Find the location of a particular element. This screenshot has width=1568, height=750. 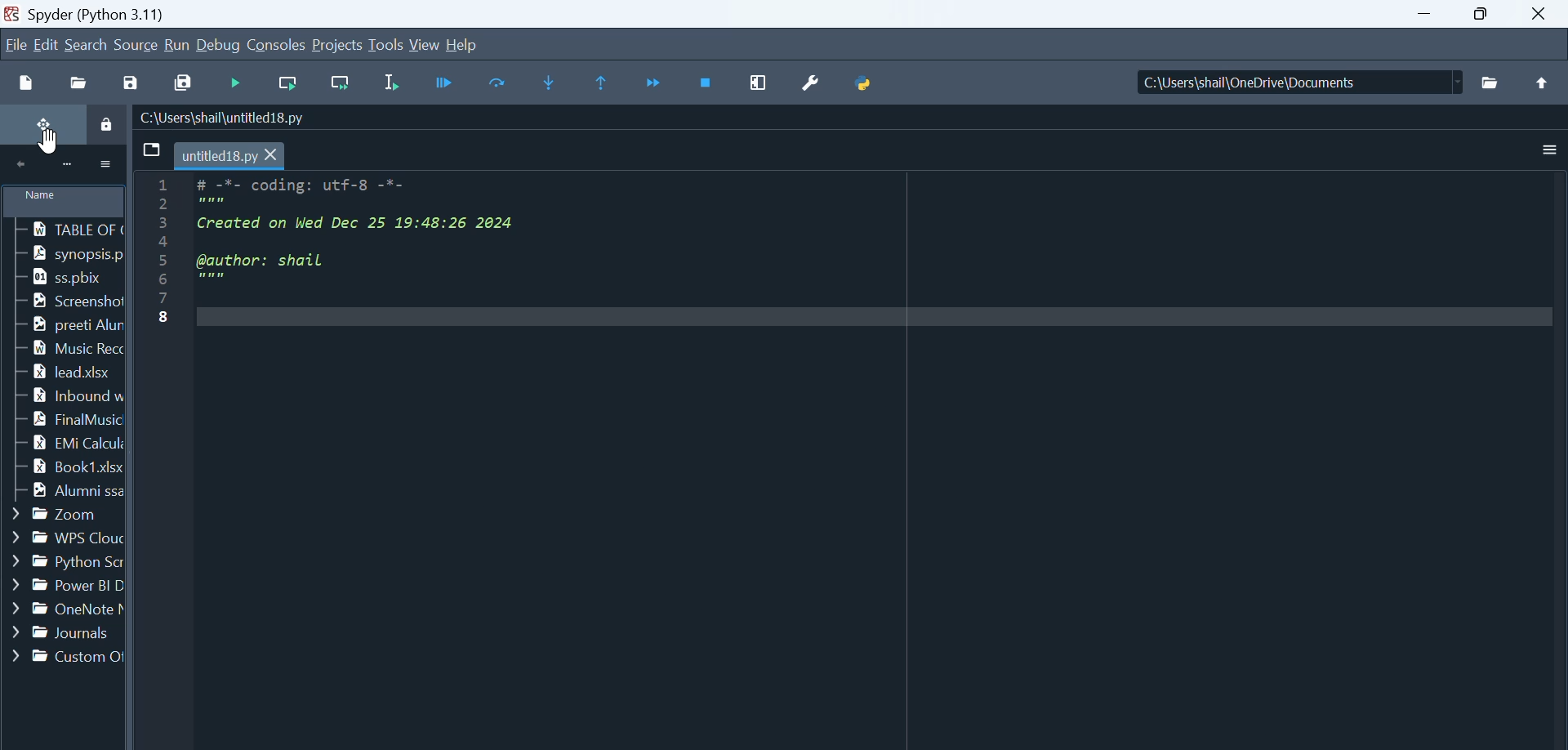

search tabs is located at coordinates (150, 150).